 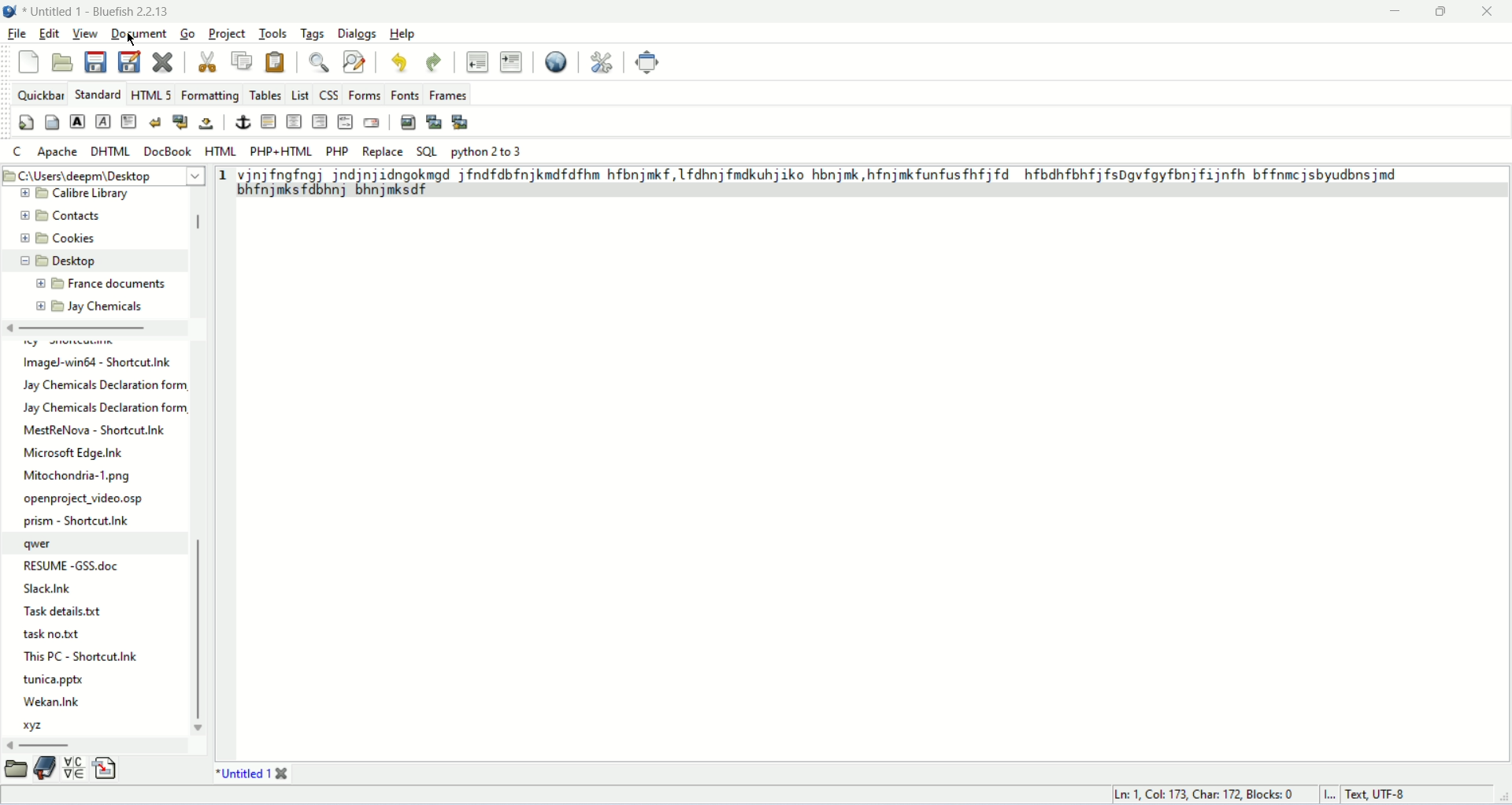 What do you see at coordinates (83, 656) in the screenshot?
I see `This PC - Shortcut.Ink` at bounding box center [83, 656].